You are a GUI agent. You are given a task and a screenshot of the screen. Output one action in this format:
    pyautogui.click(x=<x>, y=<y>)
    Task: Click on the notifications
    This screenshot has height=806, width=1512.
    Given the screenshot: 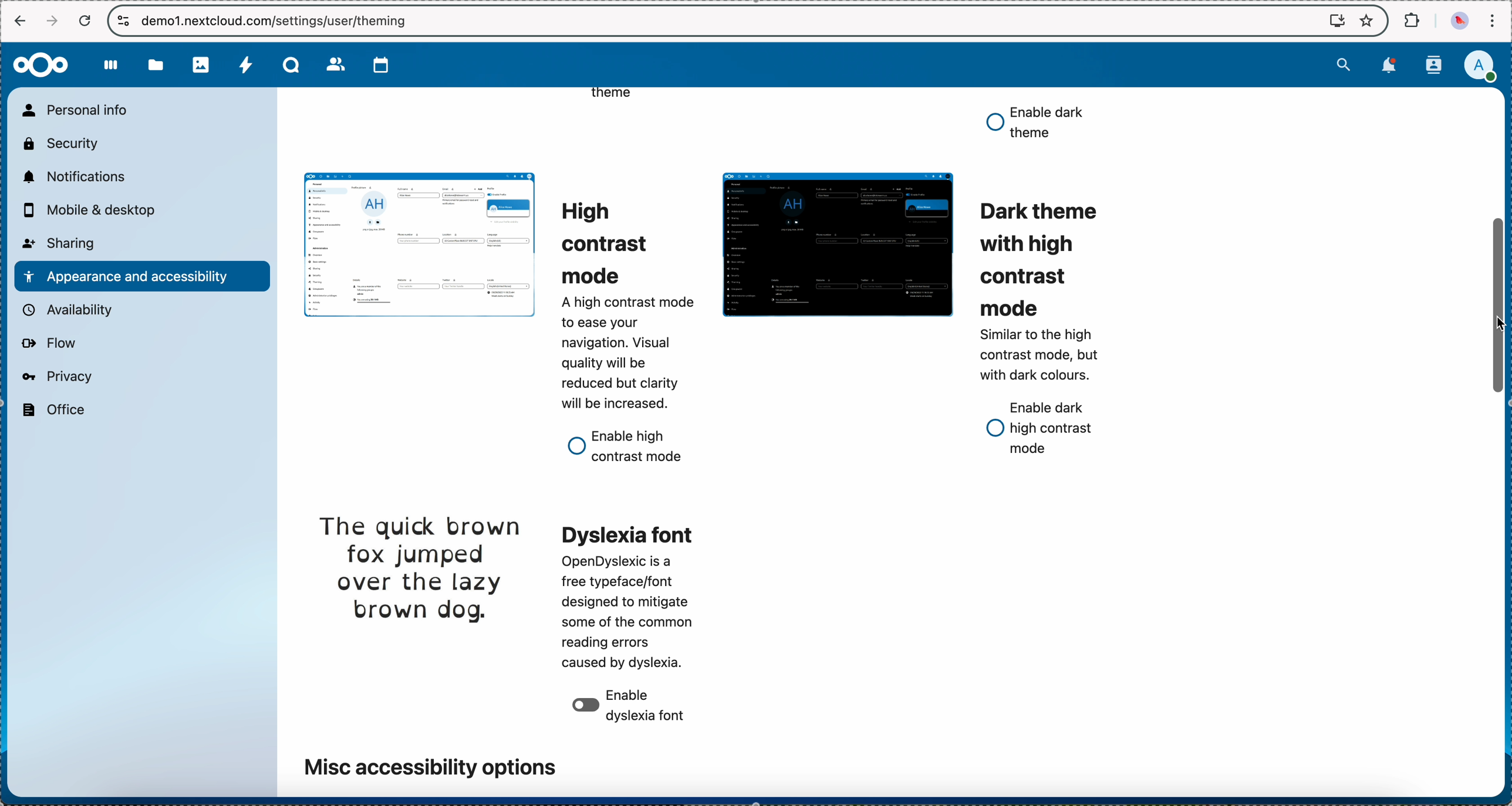 What is the action you would take?
    pyautogui.click(x=1387, y=67)
    